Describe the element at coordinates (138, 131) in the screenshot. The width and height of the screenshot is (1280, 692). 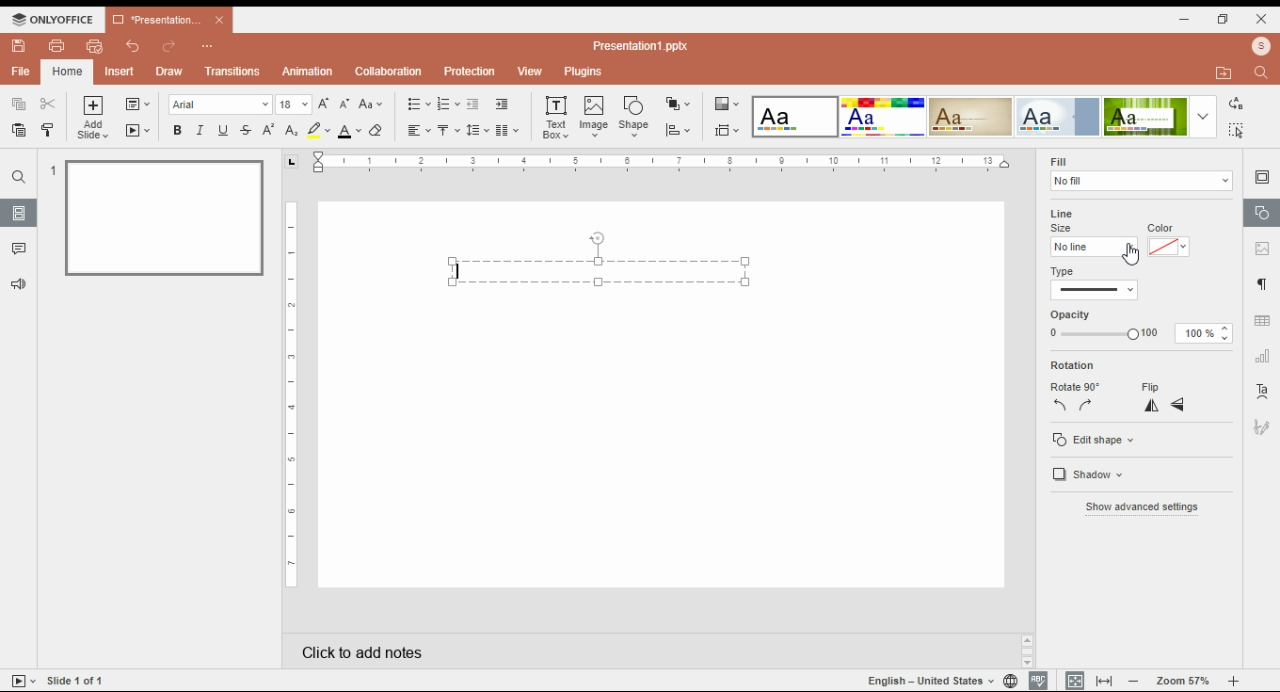
I see `start slide show` at that location.